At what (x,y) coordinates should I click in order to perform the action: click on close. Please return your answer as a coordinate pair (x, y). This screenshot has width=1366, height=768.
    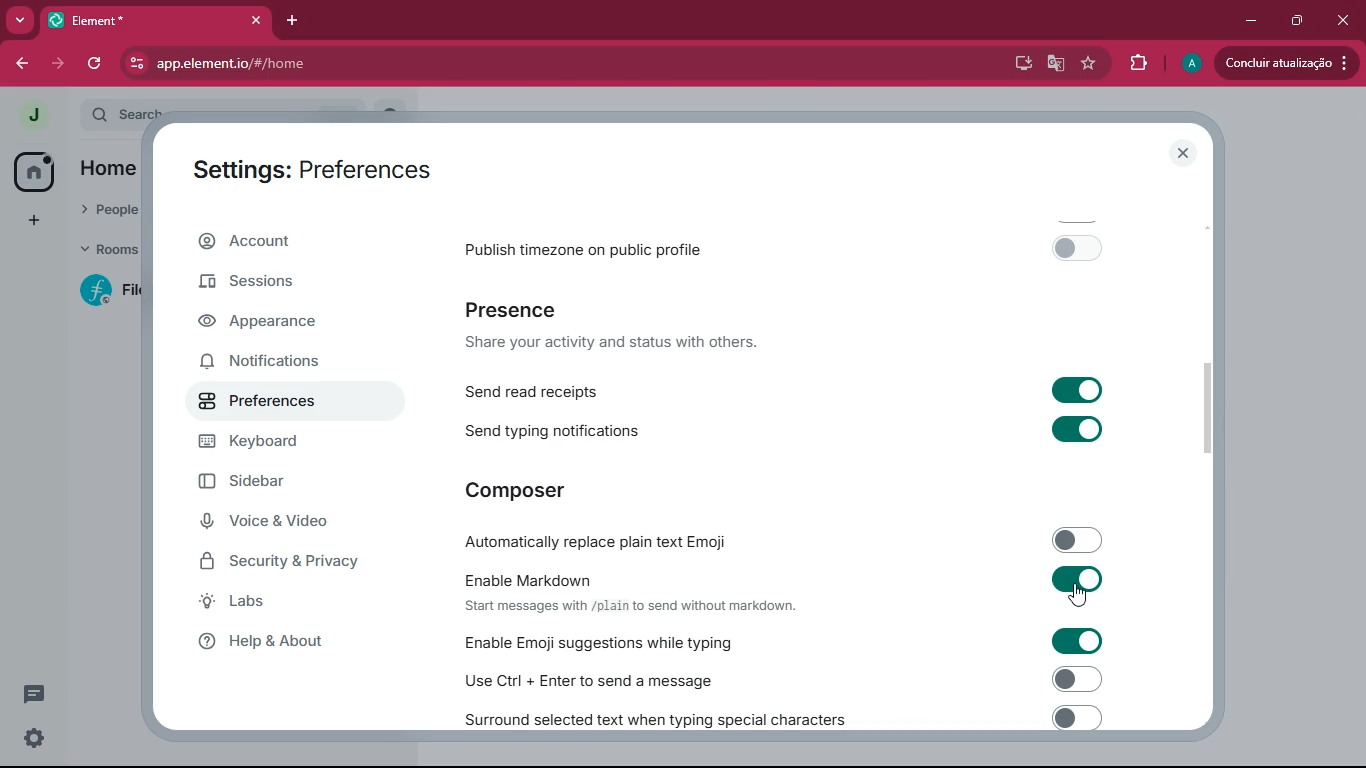
    Looking at the image, I should click on (1180, 153).